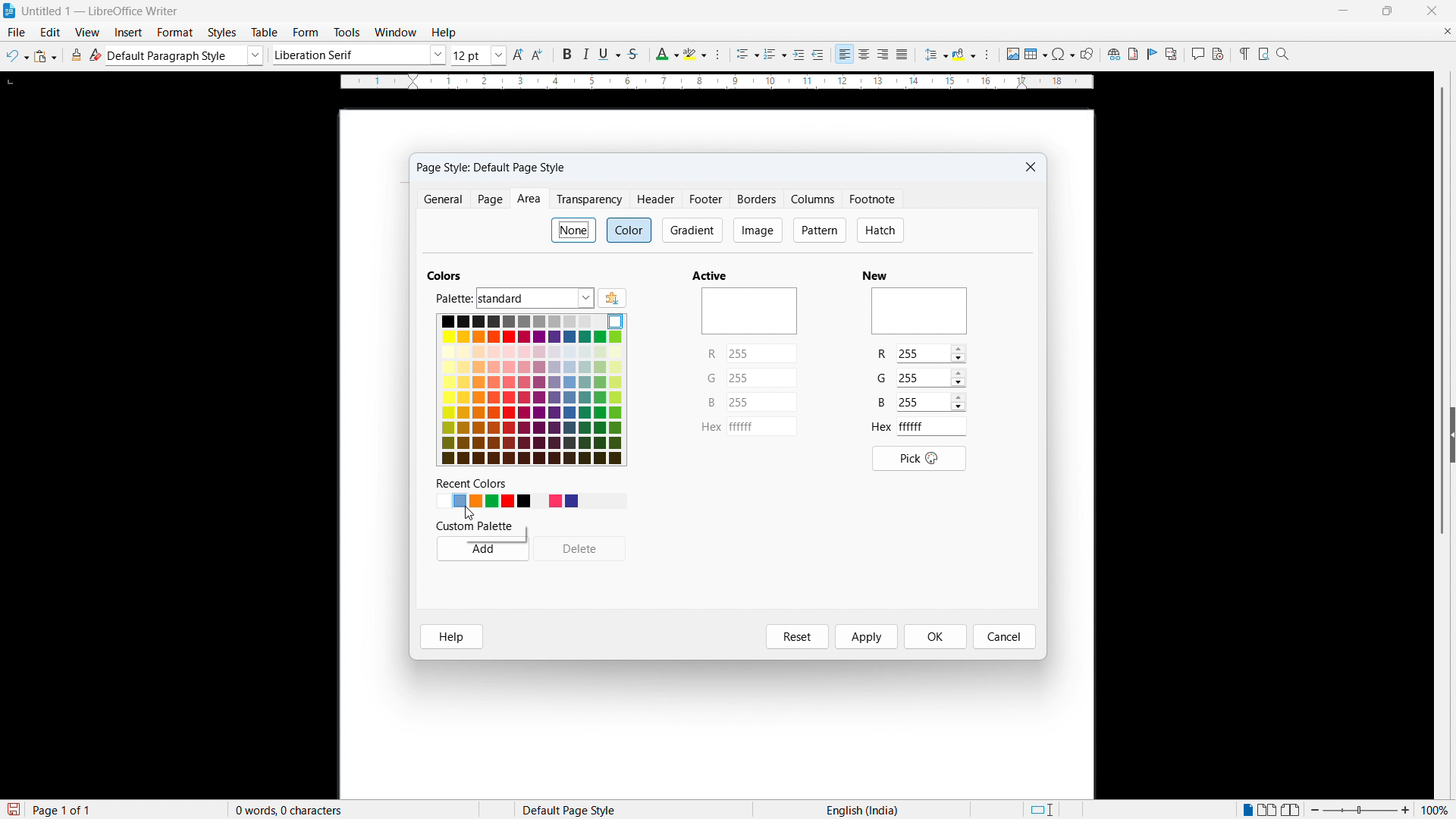 The image size is (1456, 819). What do you see at coordinates (935, 55) in the screenshot?
I see `Set line spacing ` at bounding box center [935, 55].